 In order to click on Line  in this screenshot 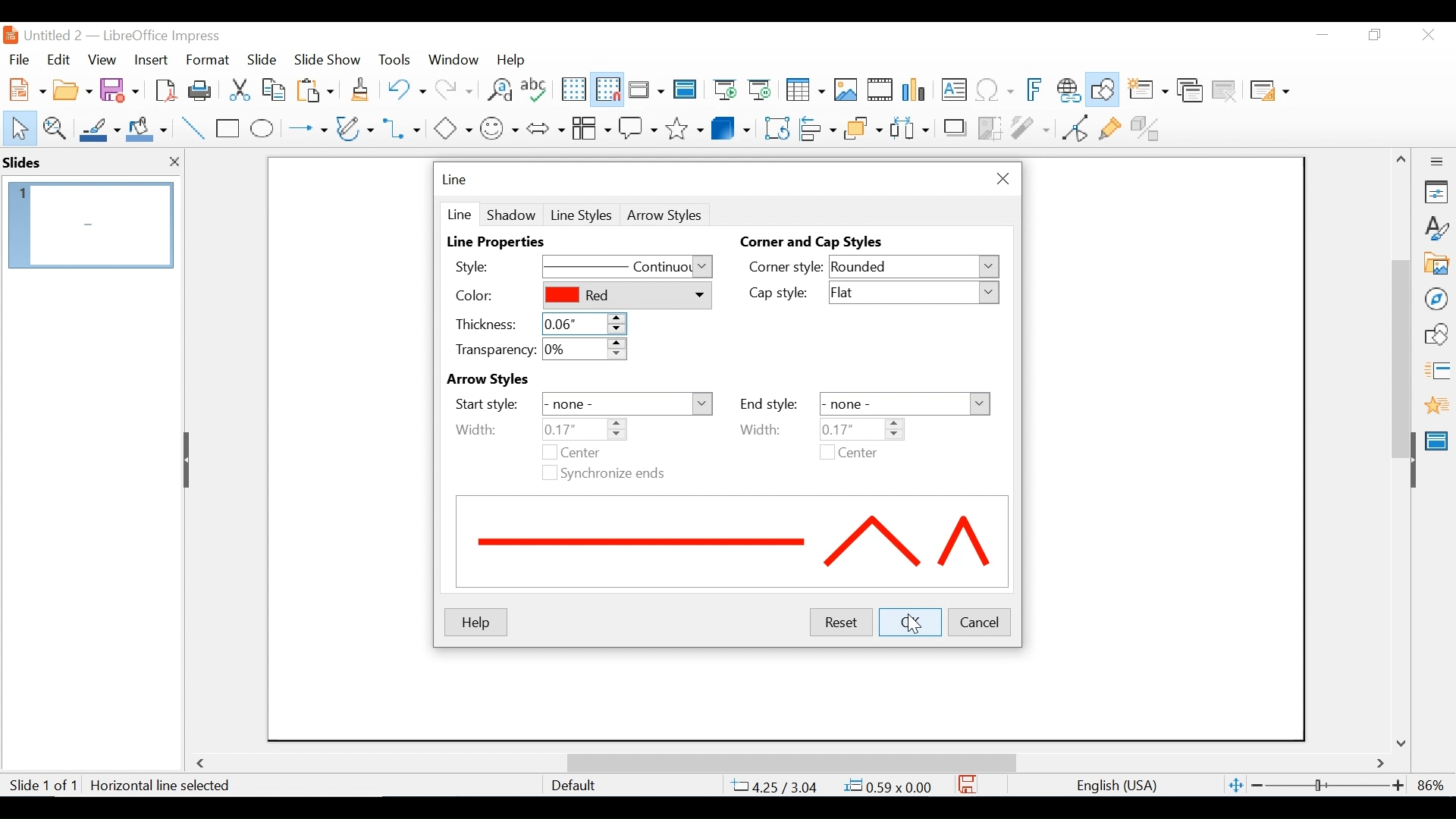, I will do `click(458, 213)`.